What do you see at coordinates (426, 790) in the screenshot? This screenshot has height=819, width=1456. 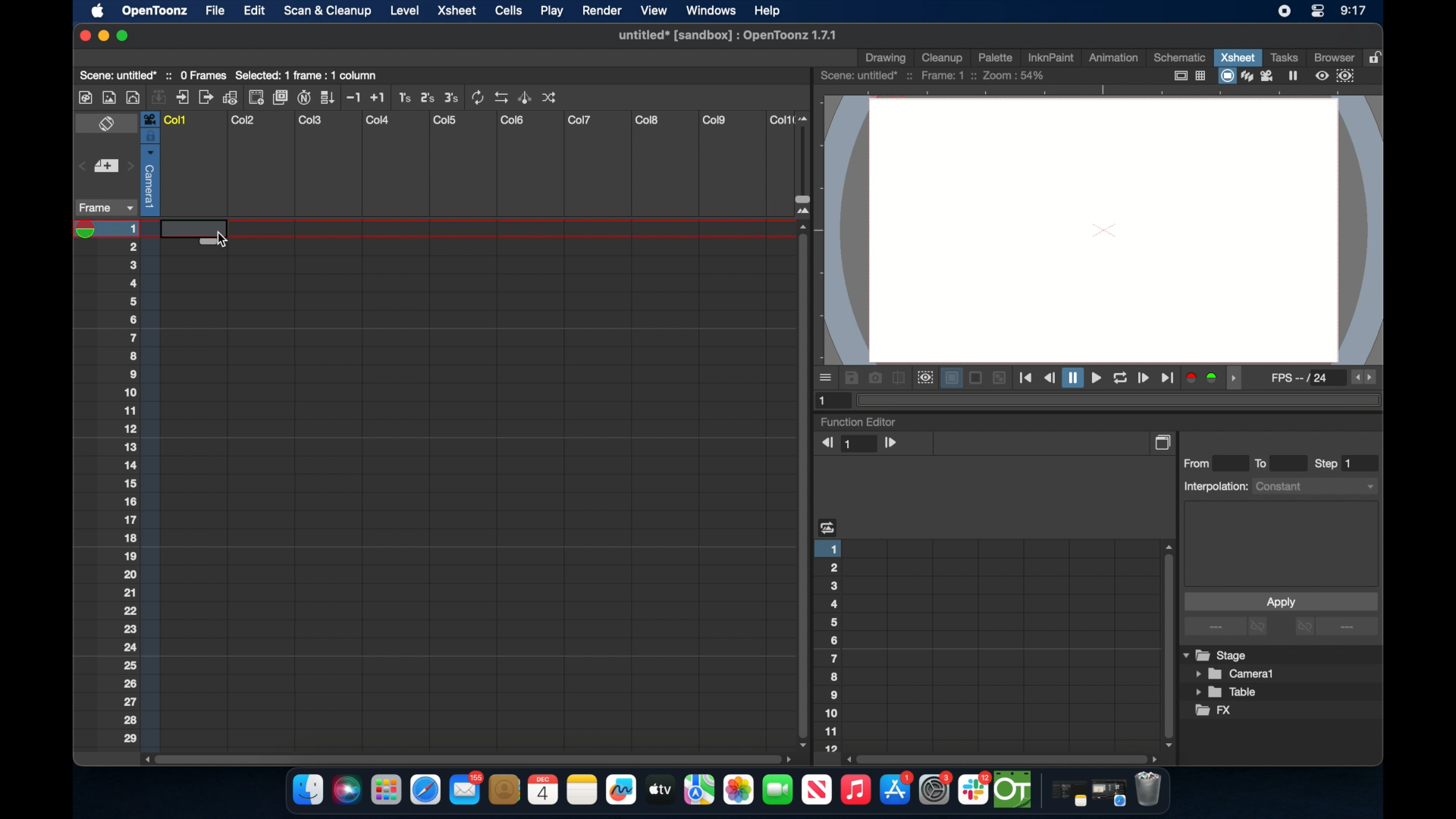 I see `safari` at bounding box center [426, 790].